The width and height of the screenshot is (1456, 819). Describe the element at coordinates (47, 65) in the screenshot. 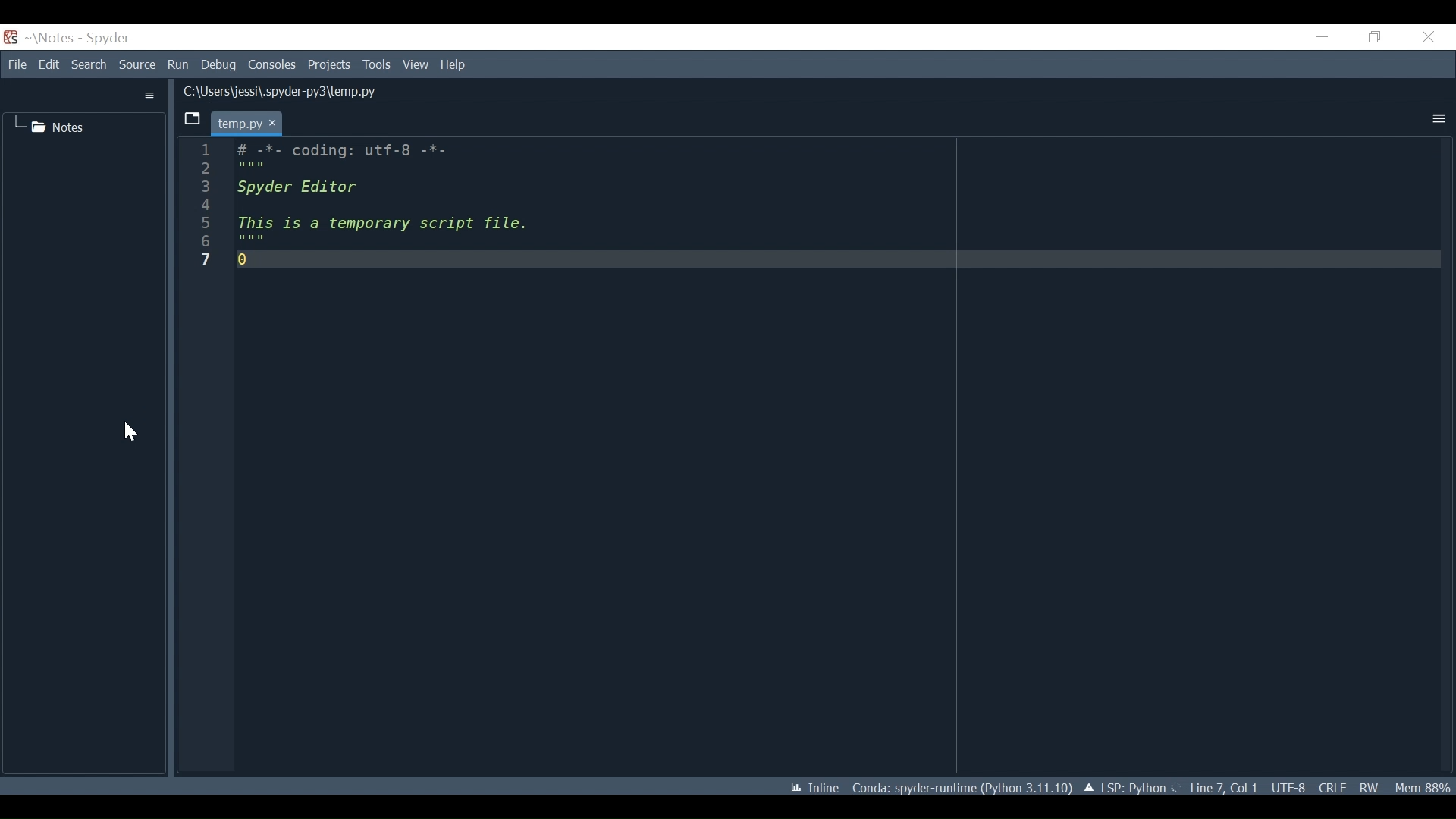

I see `Edit` at that location.